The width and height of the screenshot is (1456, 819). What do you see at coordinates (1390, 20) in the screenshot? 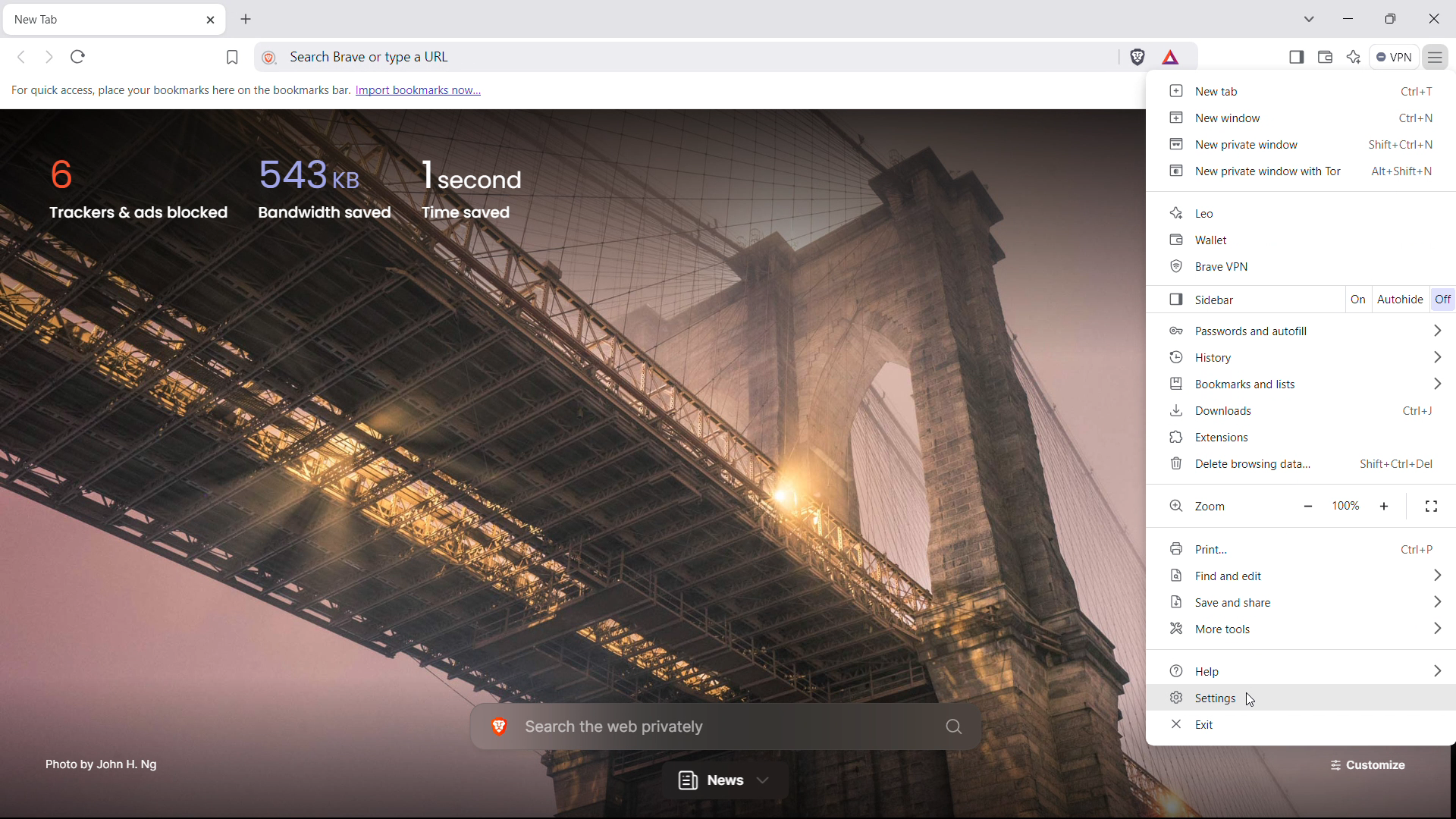
I see `maximize` at bounding box center [1390, 20].